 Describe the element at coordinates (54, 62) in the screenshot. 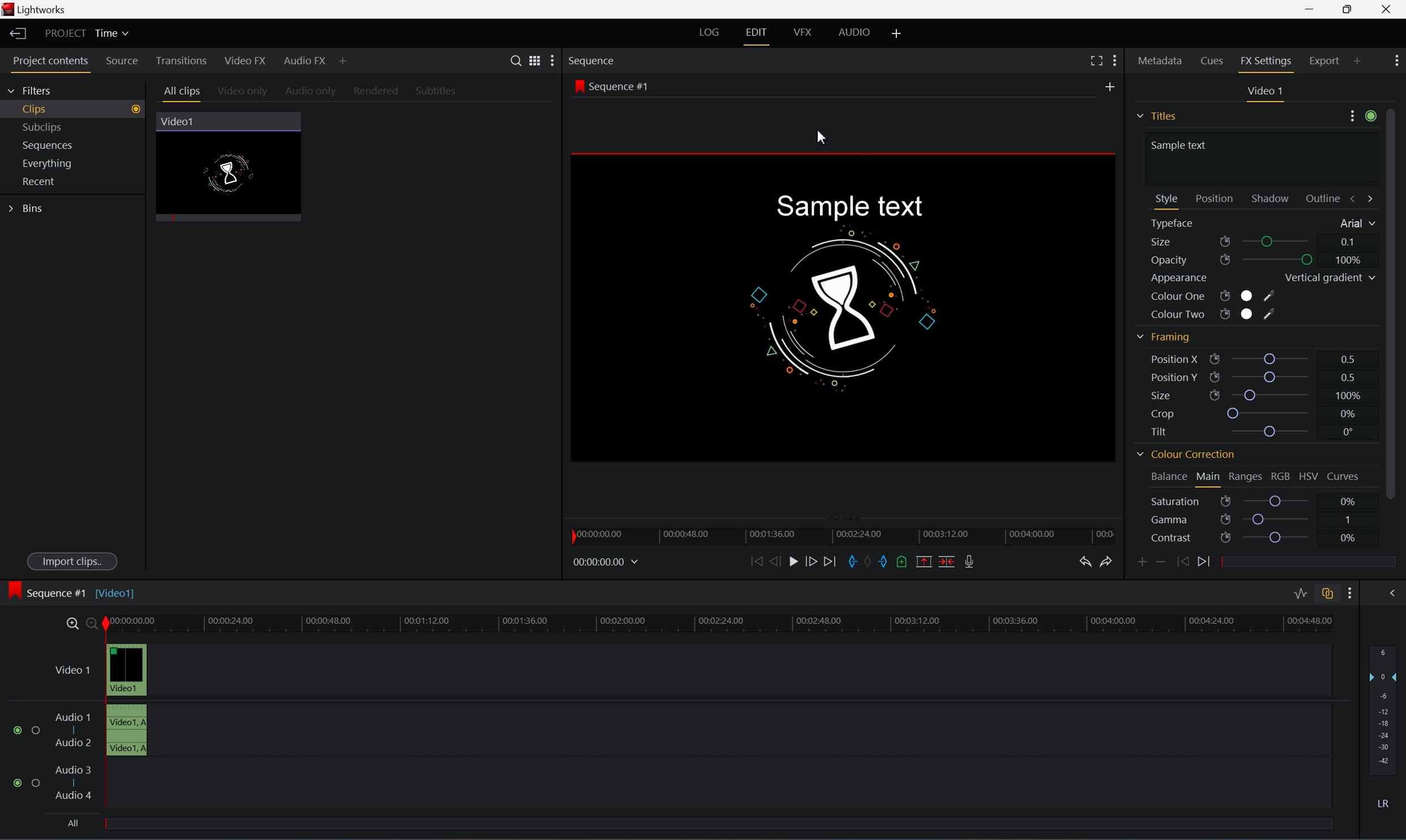

I see `projects controls` at that location.